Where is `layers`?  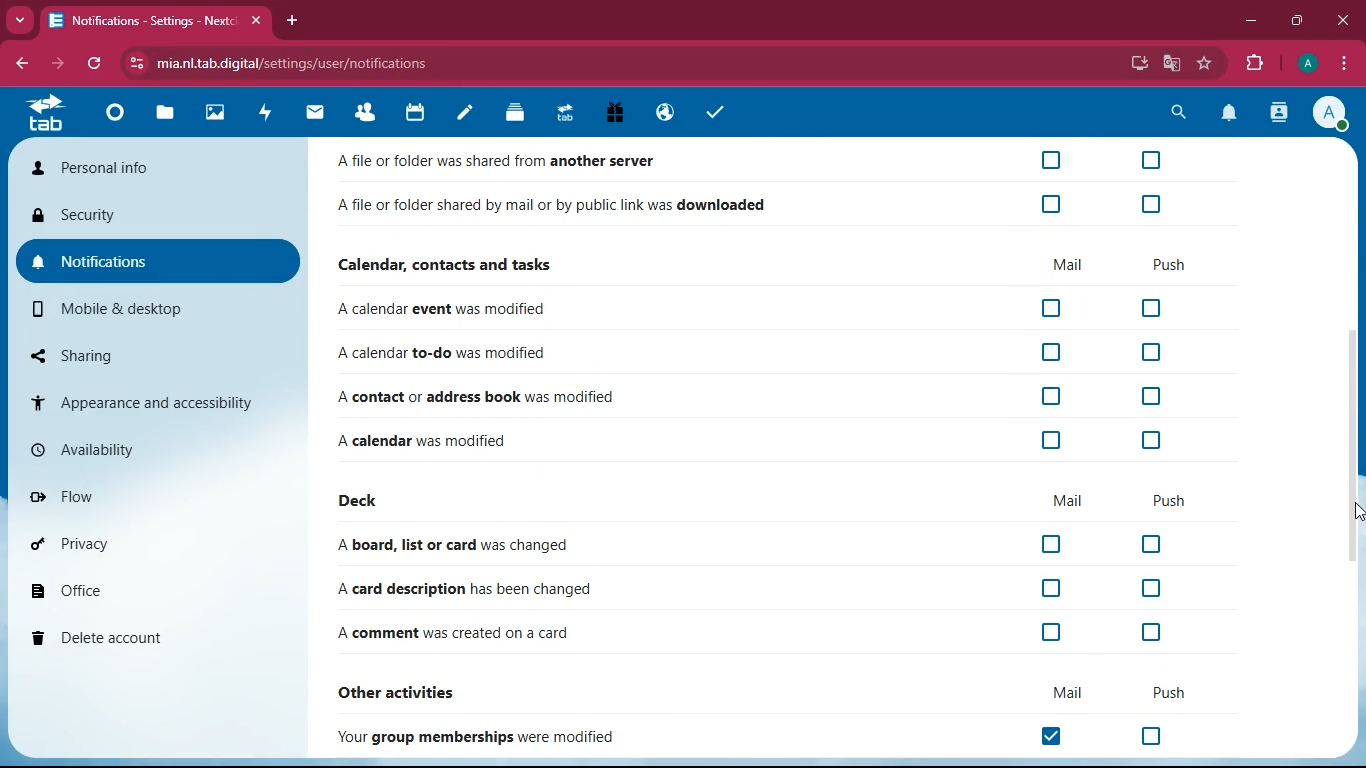
layers is located at coordinates (514, 113).